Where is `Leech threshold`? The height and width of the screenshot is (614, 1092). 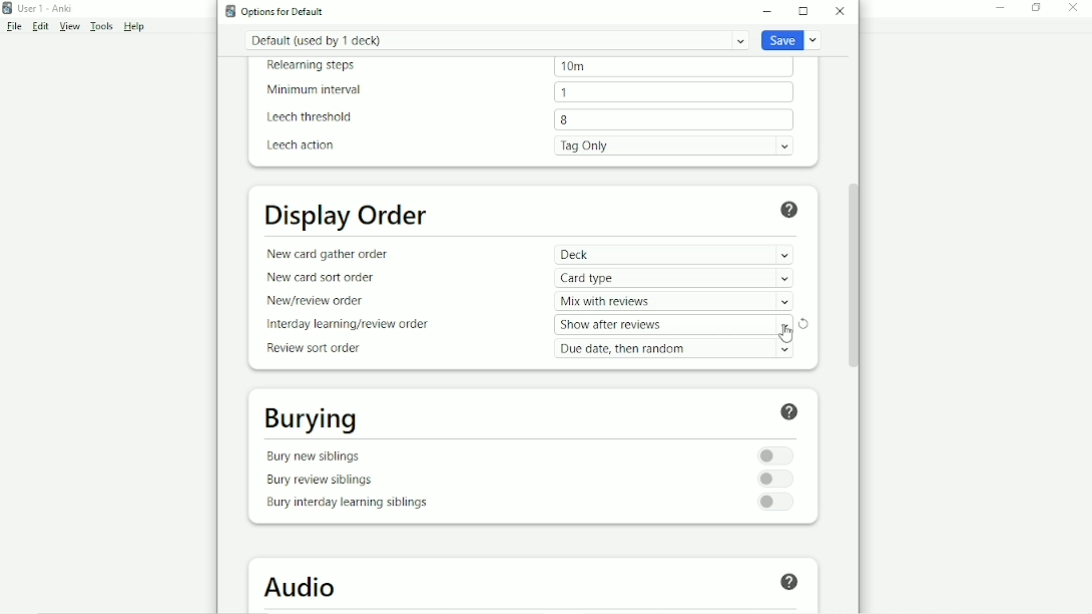
Leech threshold is located at coordinates (310, 118).